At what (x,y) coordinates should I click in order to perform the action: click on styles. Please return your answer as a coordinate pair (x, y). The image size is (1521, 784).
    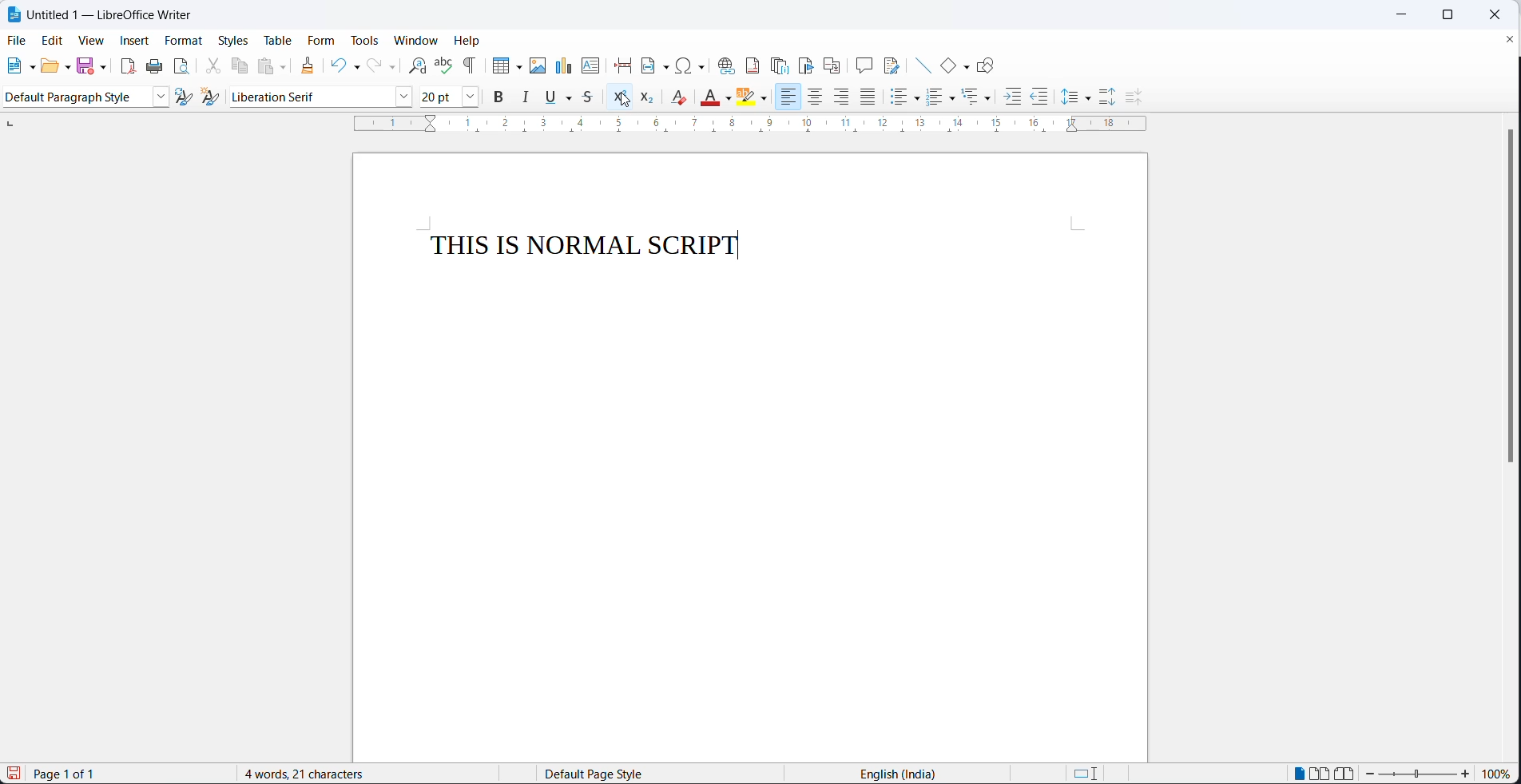
    Looking at the image, I should click on (232, 40).